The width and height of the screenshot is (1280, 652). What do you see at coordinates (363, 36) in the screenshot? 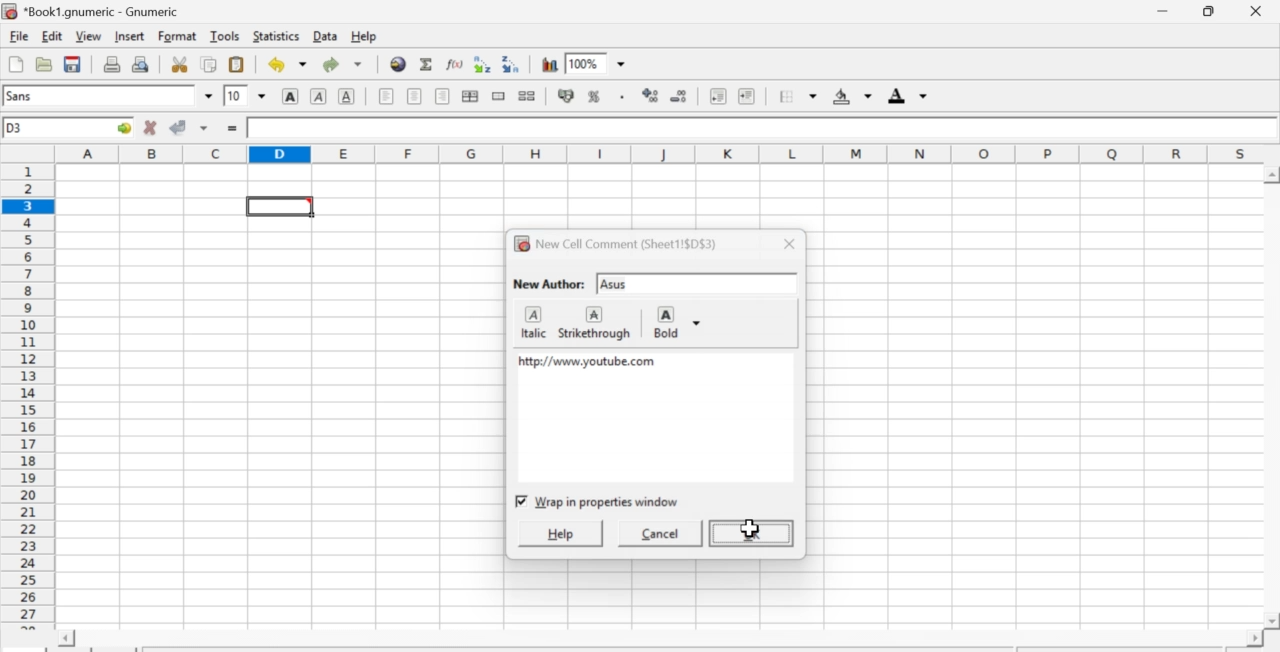
I see `Help` at bounding box center [363, 36].